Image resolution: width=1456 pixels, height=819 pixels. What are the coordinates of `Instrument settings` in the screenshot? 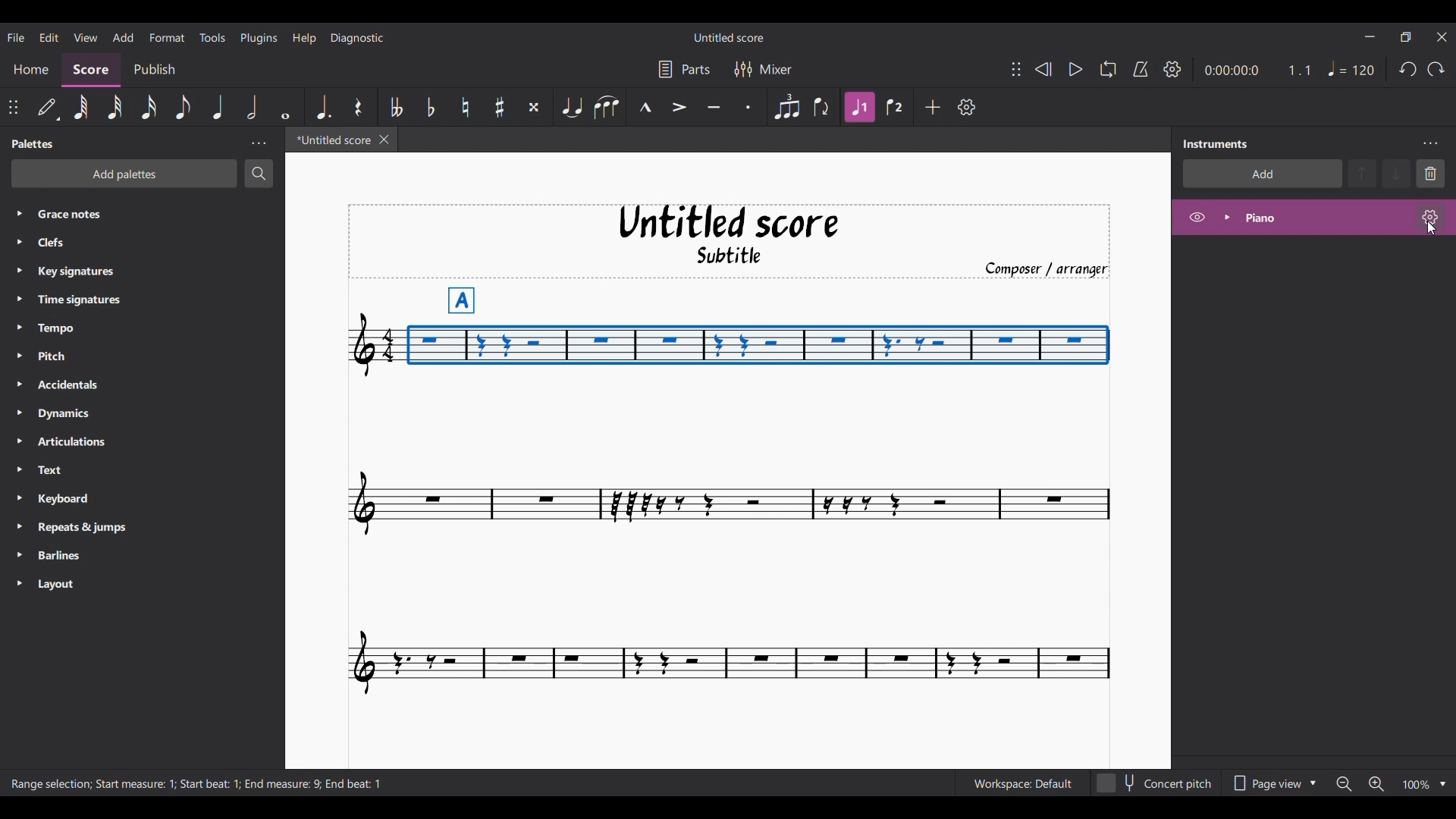 It's located at (1429, 144).